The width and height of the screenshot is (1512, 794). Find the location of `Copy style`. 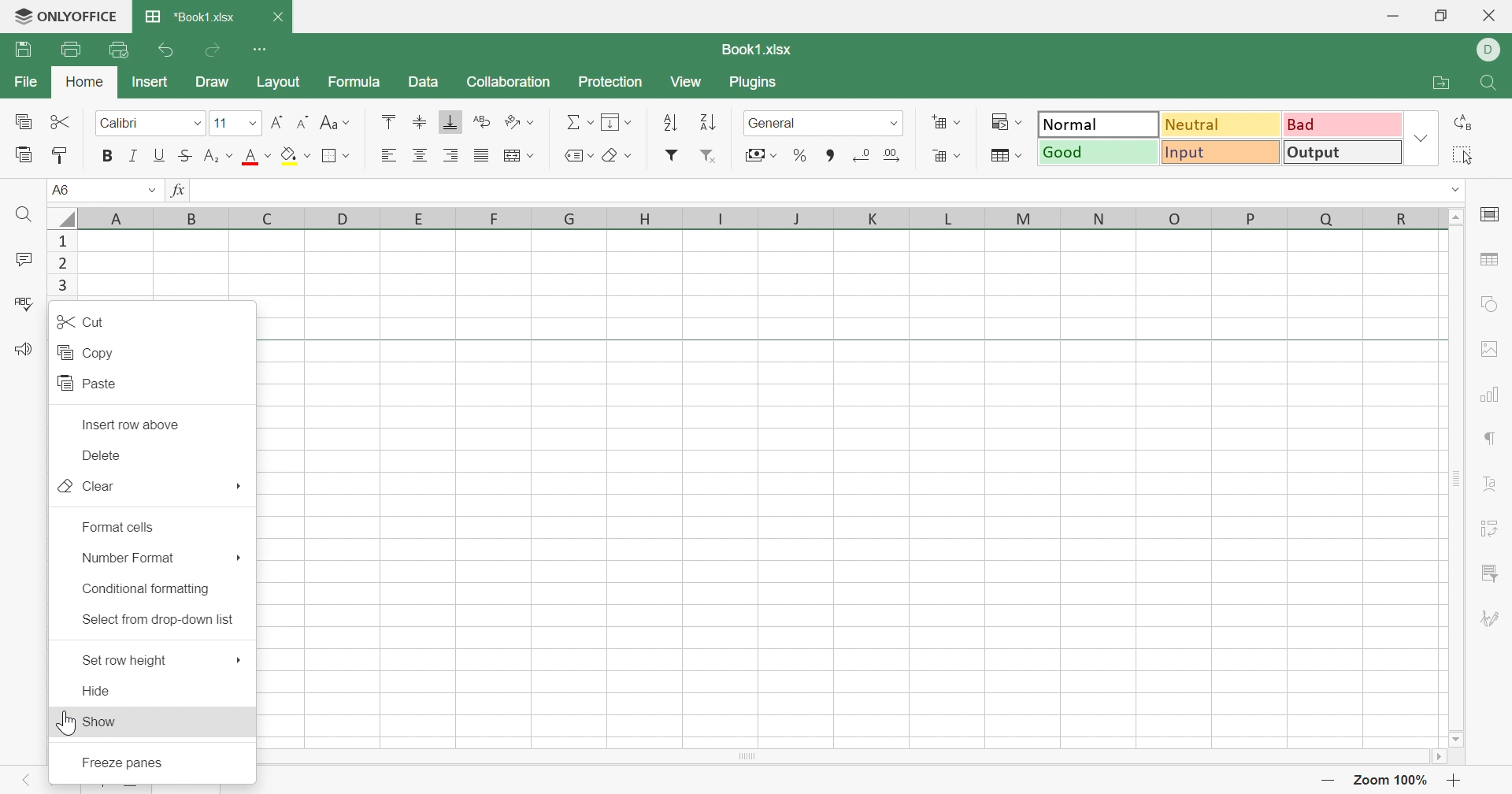

Copy style is located at coordinates (61, 155).